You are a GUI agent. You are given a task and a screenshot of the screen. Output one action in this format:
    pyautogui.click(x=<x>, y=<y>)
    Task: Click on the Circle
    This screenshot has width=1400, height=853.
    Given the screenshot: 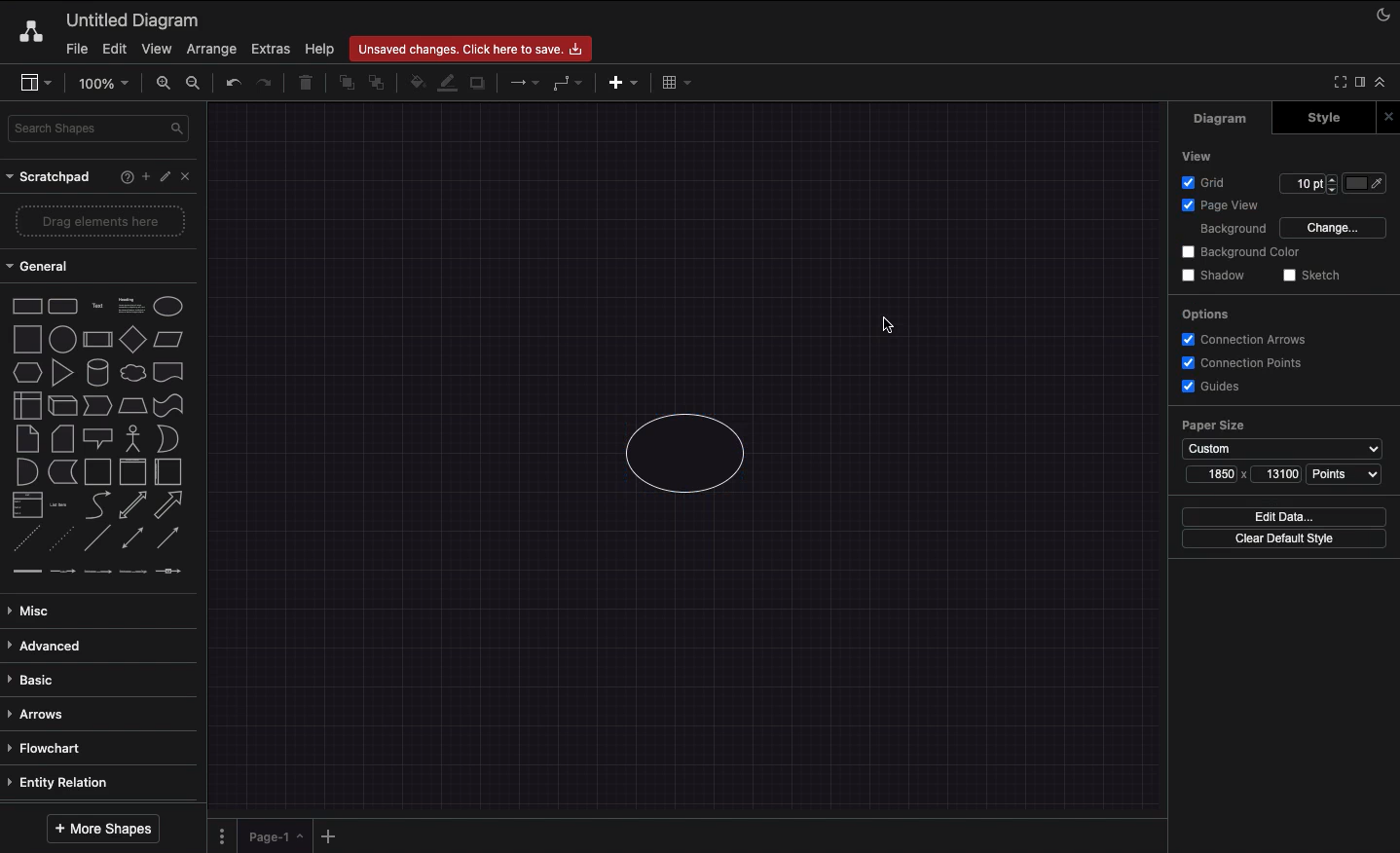 What is the action you would take?
    pyautogui.click(x=687, y=458)
    